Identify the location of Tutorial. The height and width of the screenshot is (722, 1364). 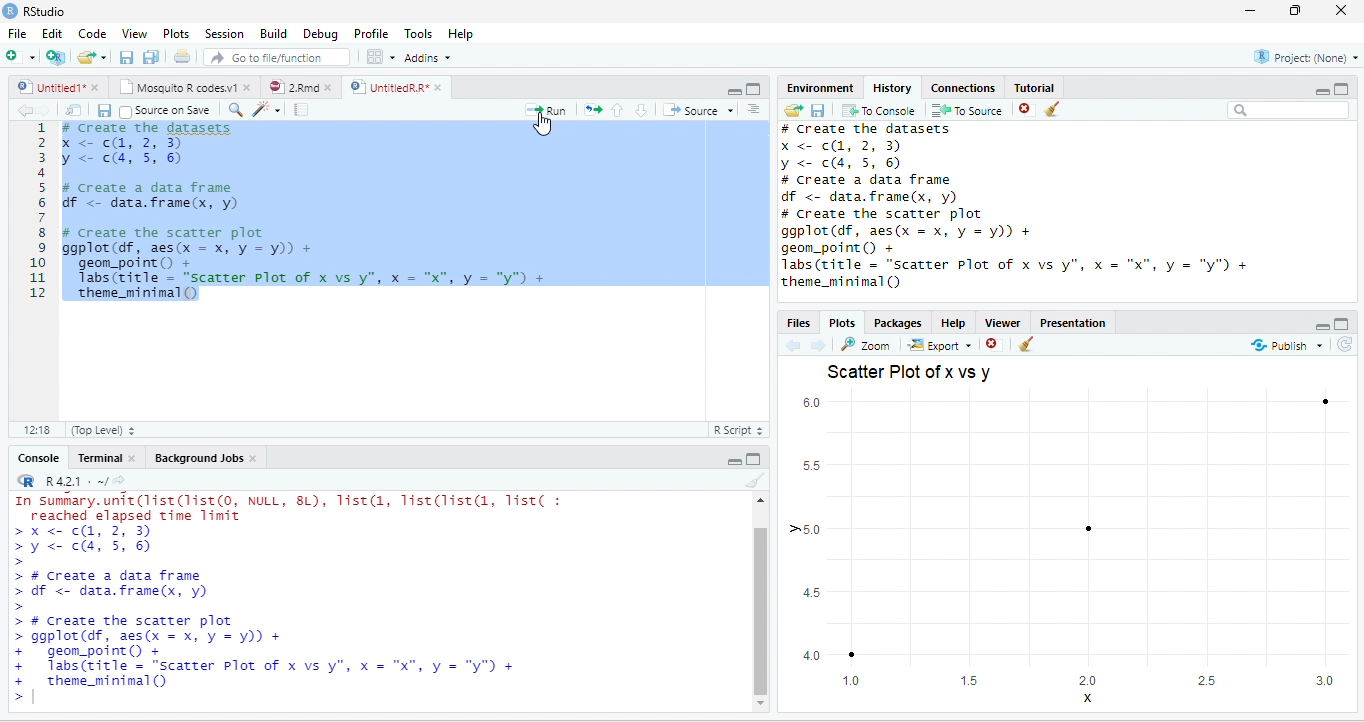
(1035, 86).